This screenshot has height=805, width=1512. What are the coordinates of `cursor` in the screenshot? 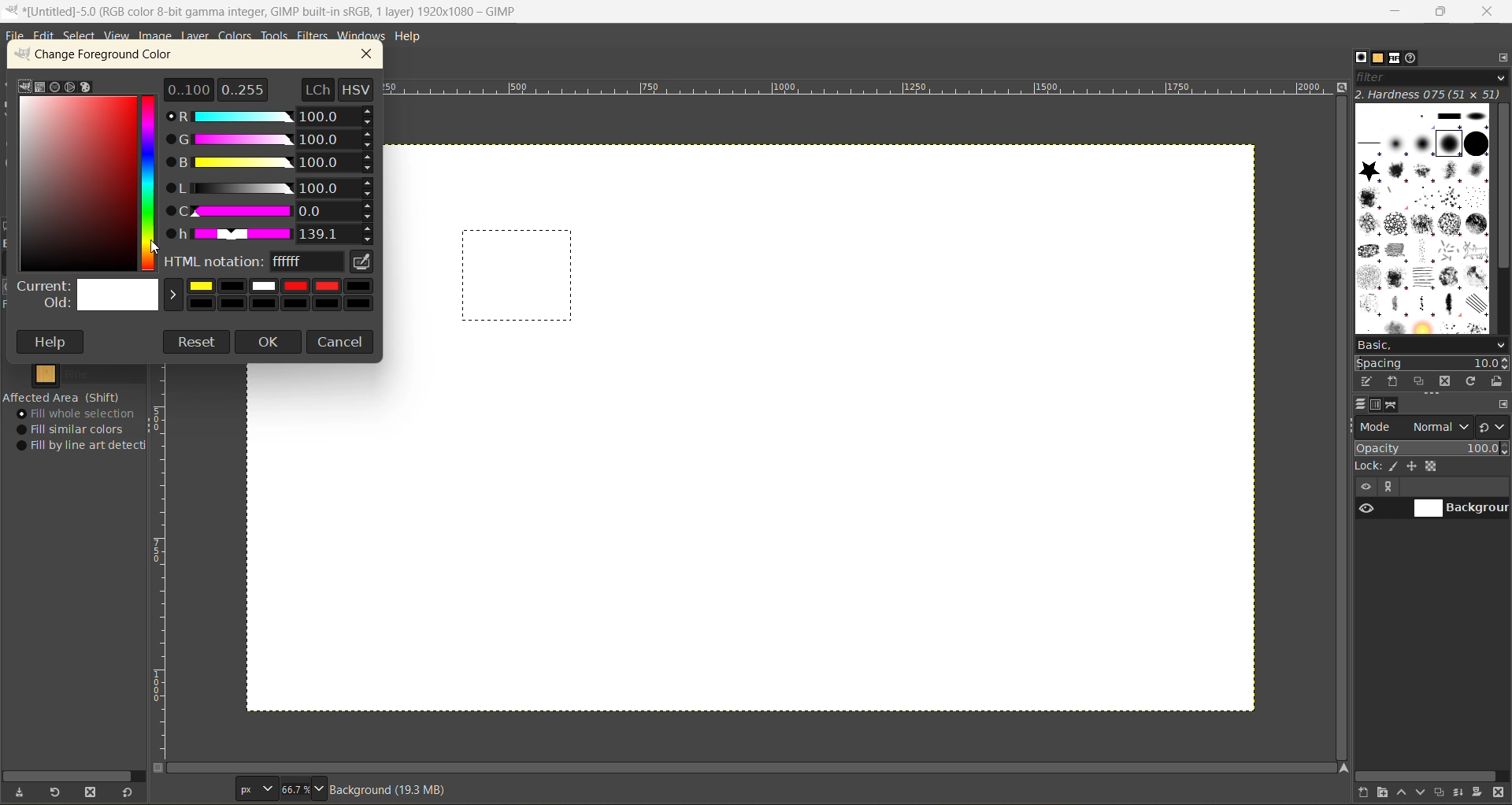 It's located at (159, 247).